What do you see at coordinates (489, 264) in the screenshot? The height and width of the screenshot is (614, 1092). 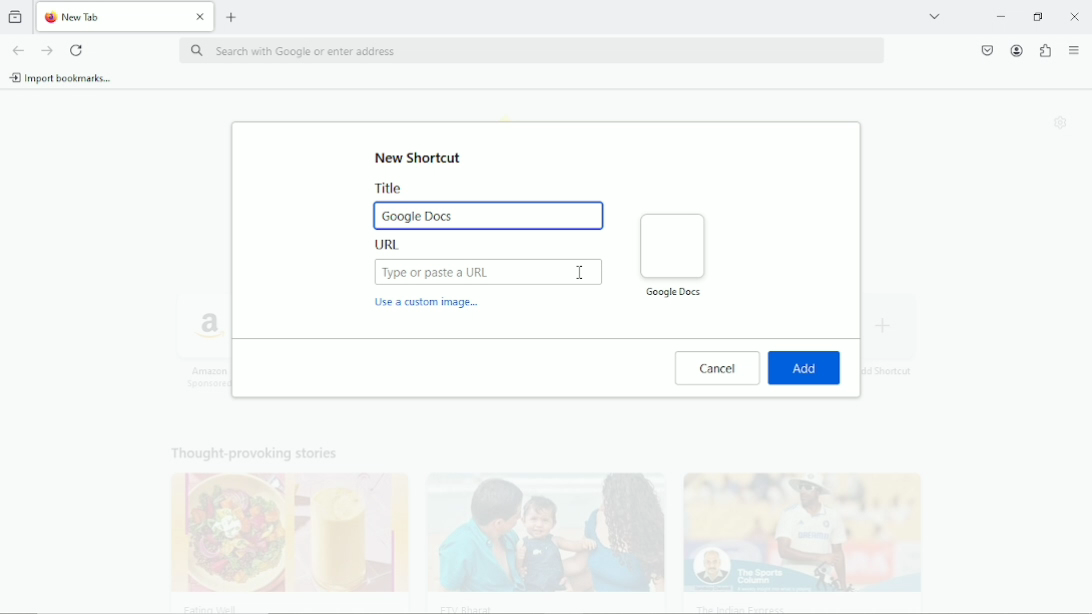 I see `URL` at bounding box center [489, 264].